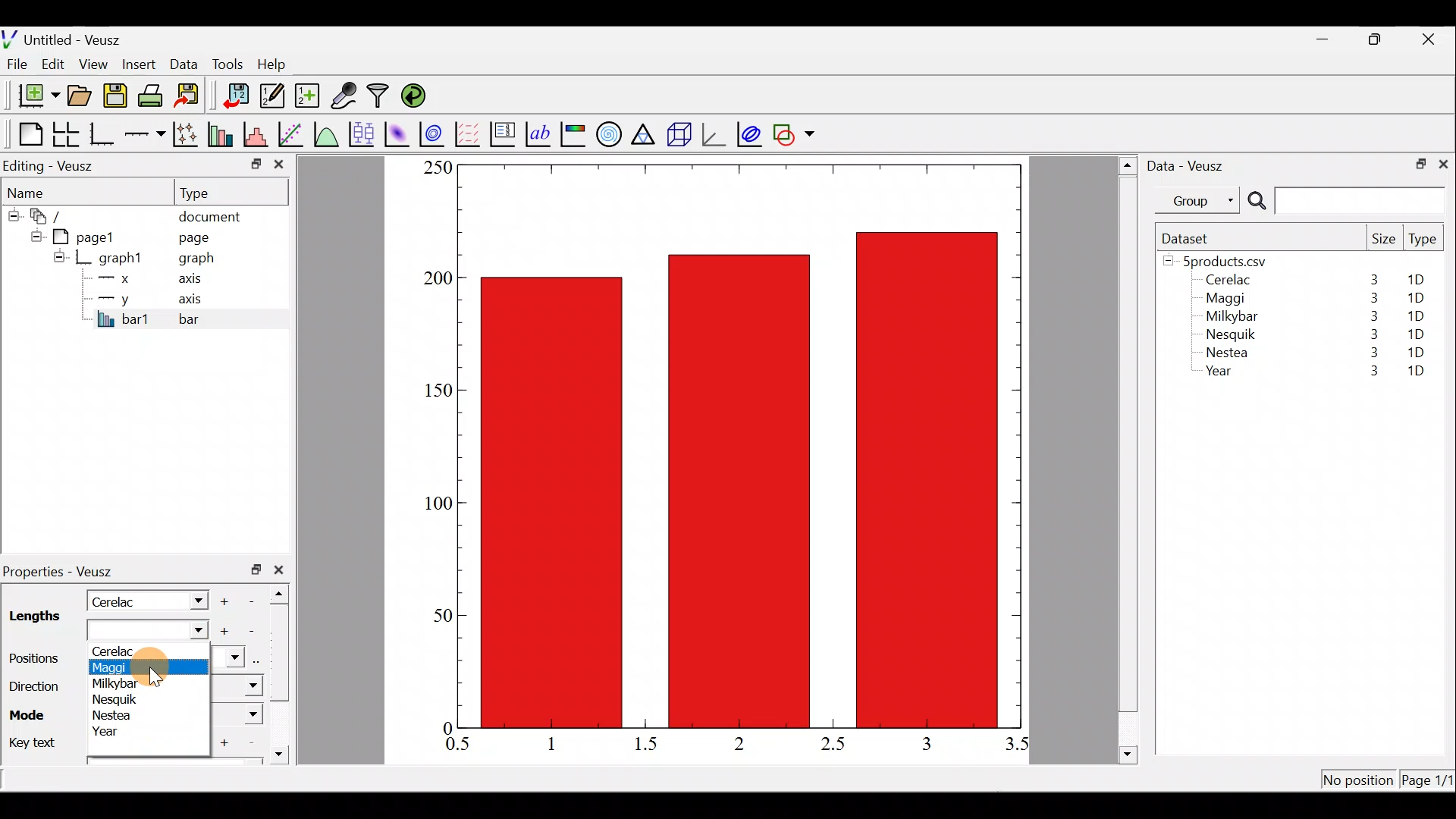 This screenshot has height=819, width=1456. Describe the element at coordinates (209, 214) in the screenshot. I see `document` at that location.